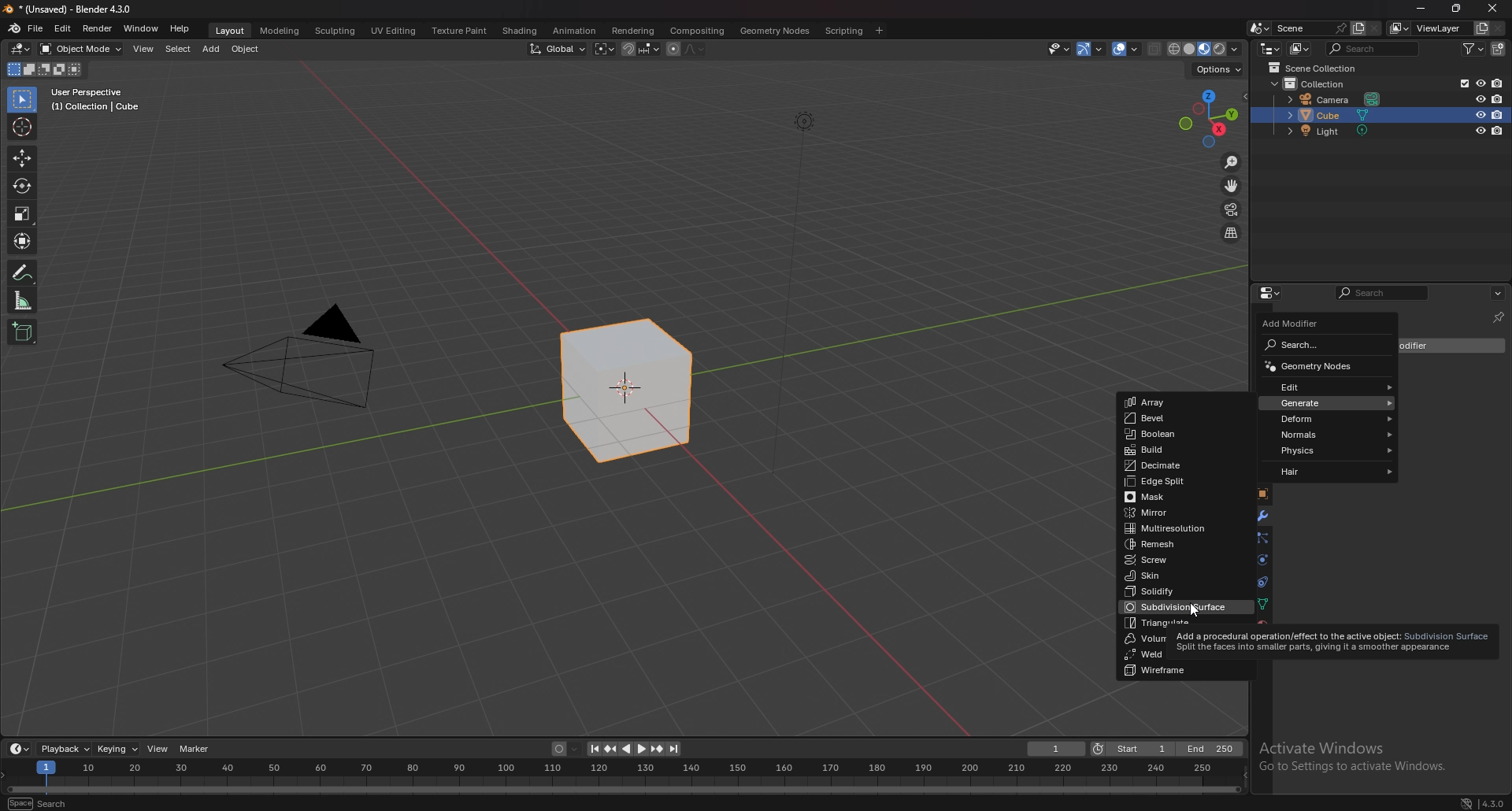  I want to click on disable in renders, so click(1498, 99).